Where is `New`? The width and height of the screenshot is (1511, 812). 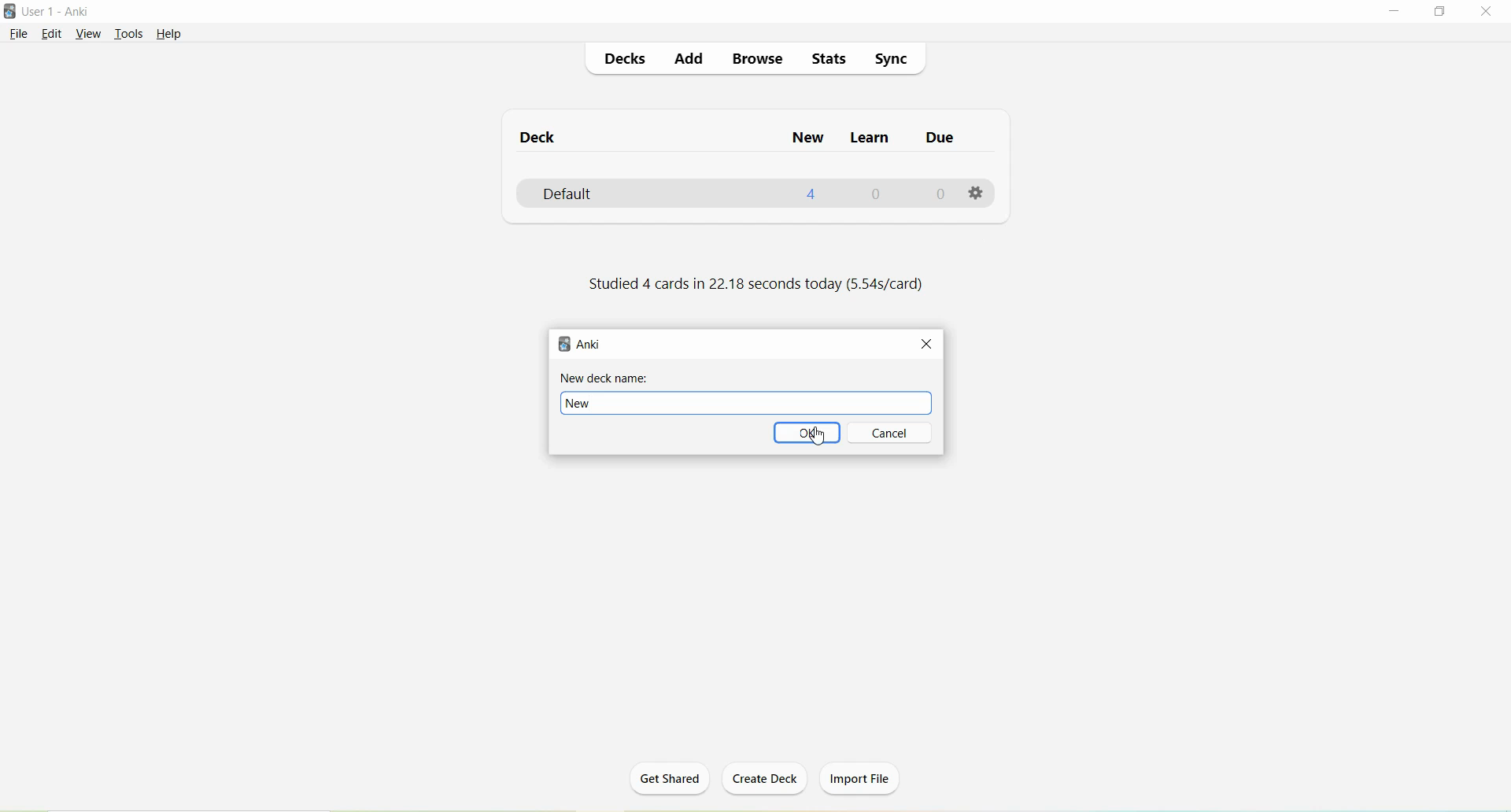 New is located at coordinates (807, 139).